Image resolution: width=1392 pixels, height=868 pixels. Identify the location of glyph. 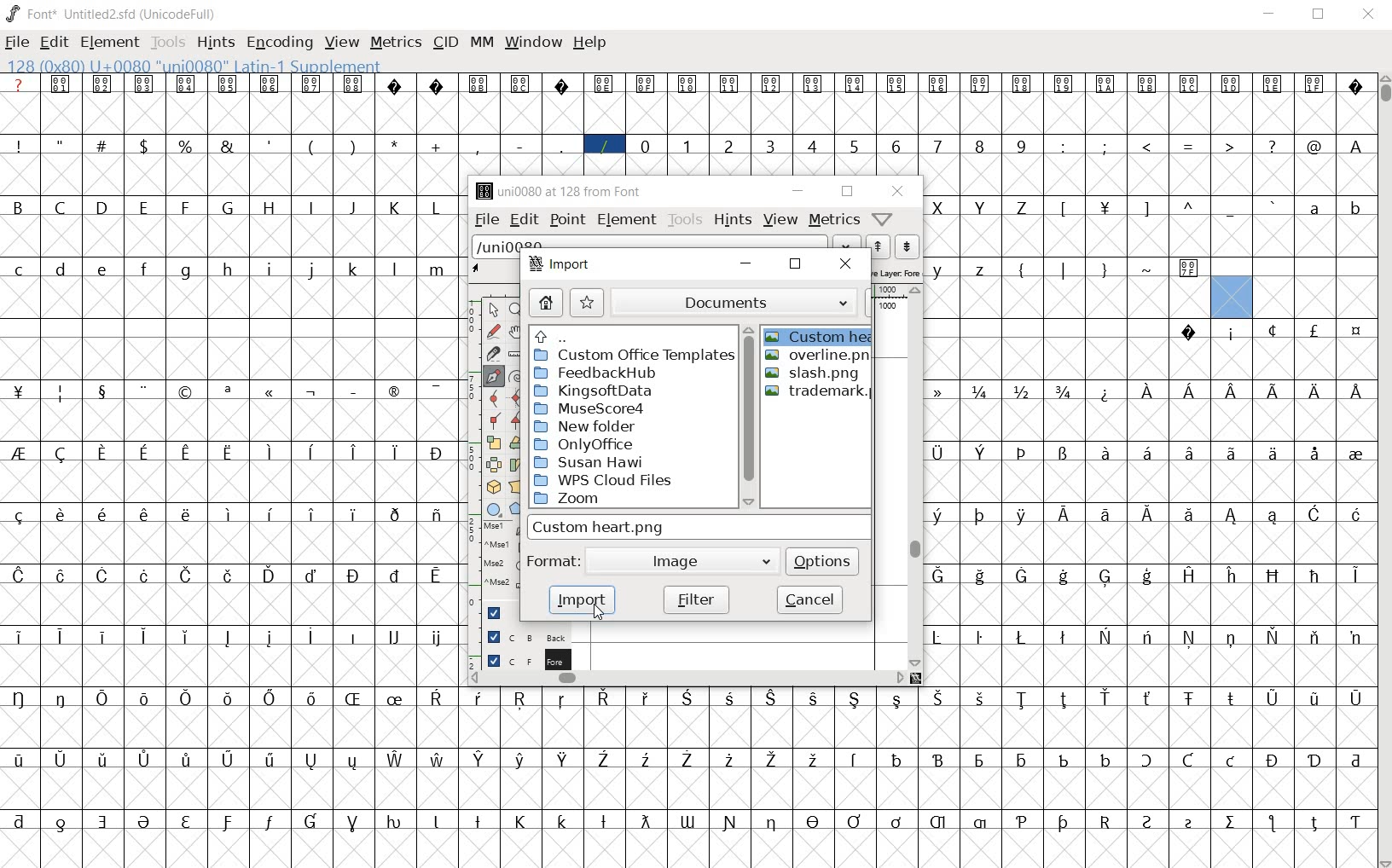
(312, 393).